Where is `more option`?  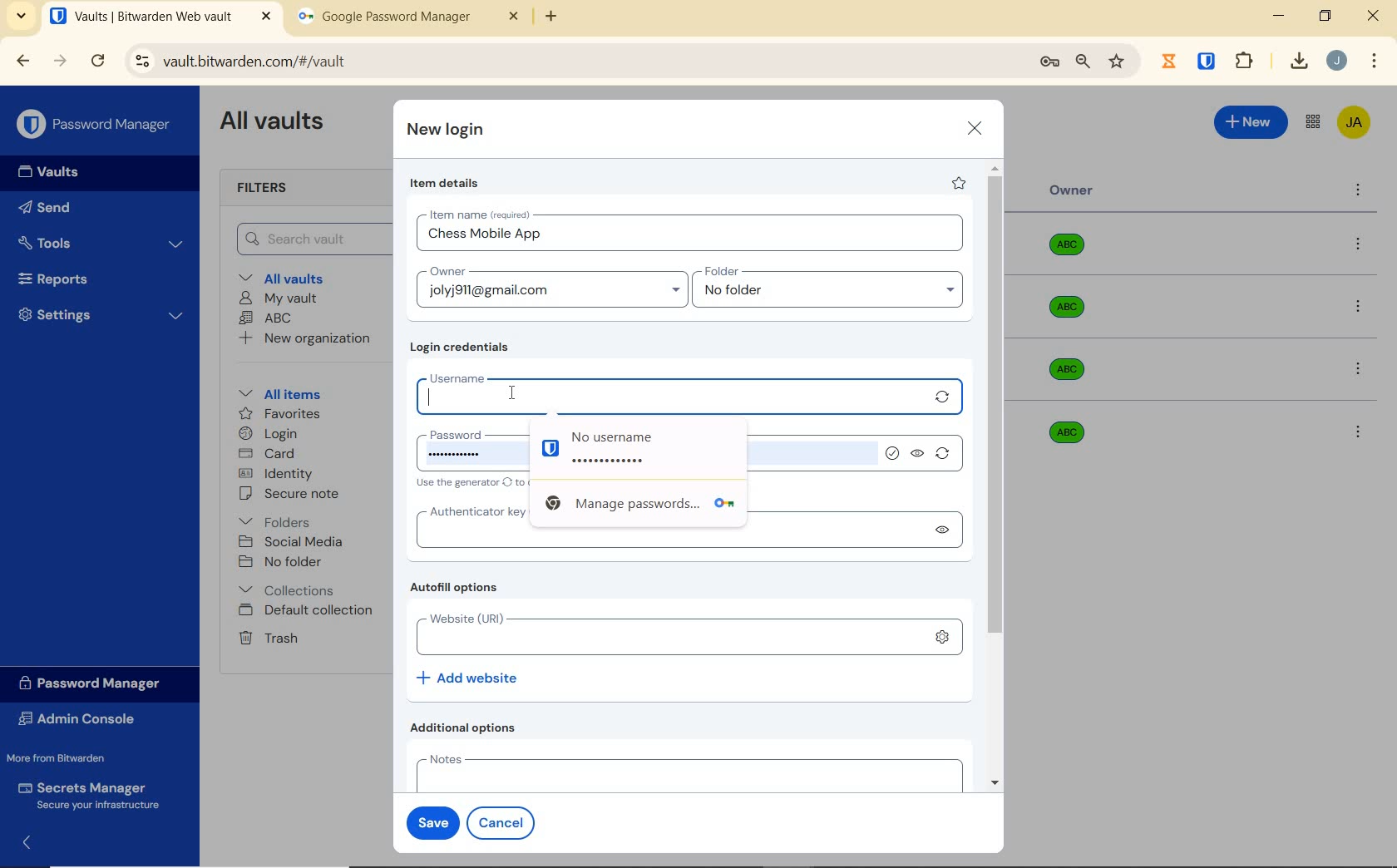
more option is located at coordinates (1359, 191).